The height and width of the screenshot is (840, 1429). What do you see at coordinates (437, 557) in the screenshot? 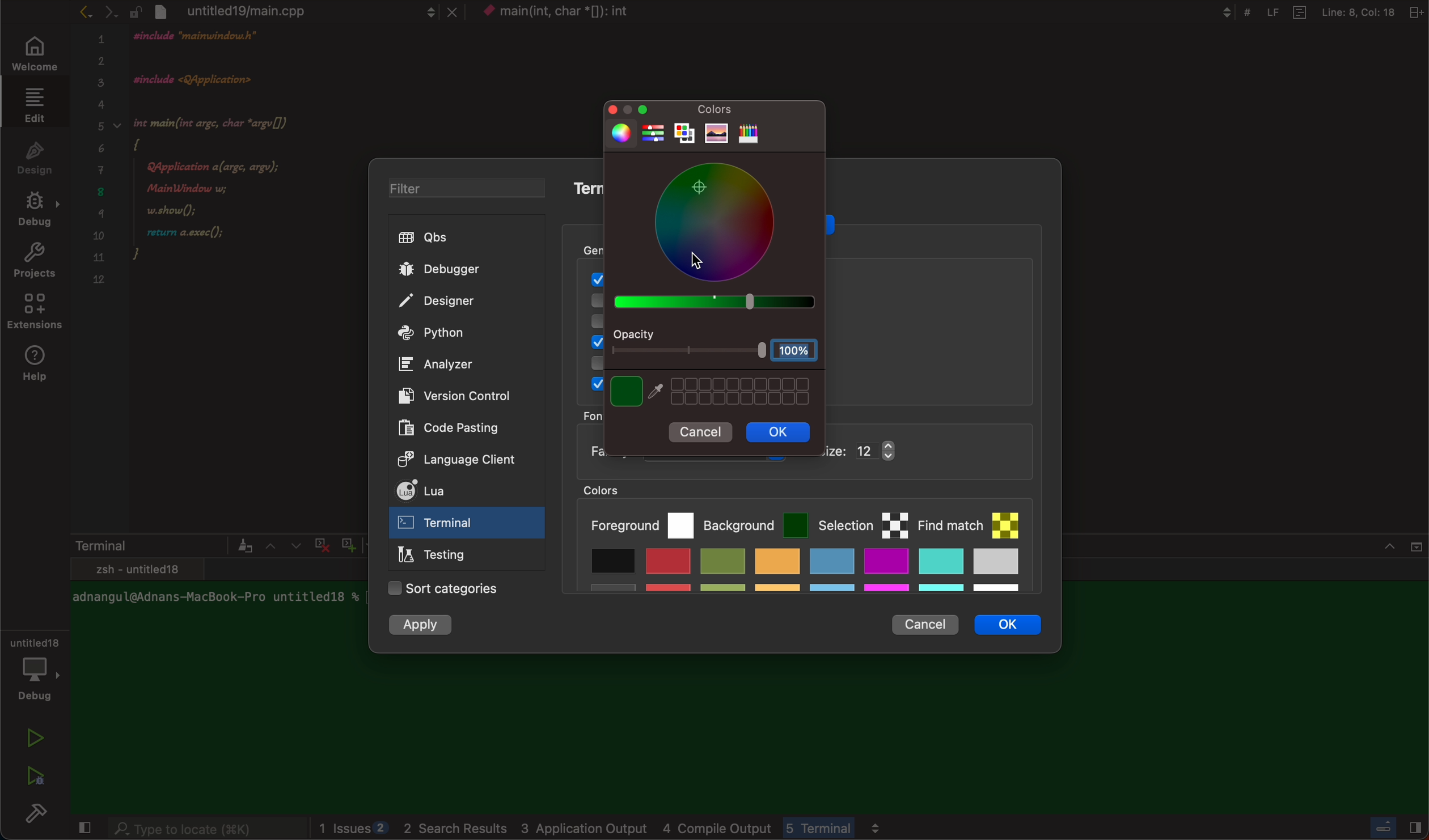
I see `testing` at bounding box center [437, 557].